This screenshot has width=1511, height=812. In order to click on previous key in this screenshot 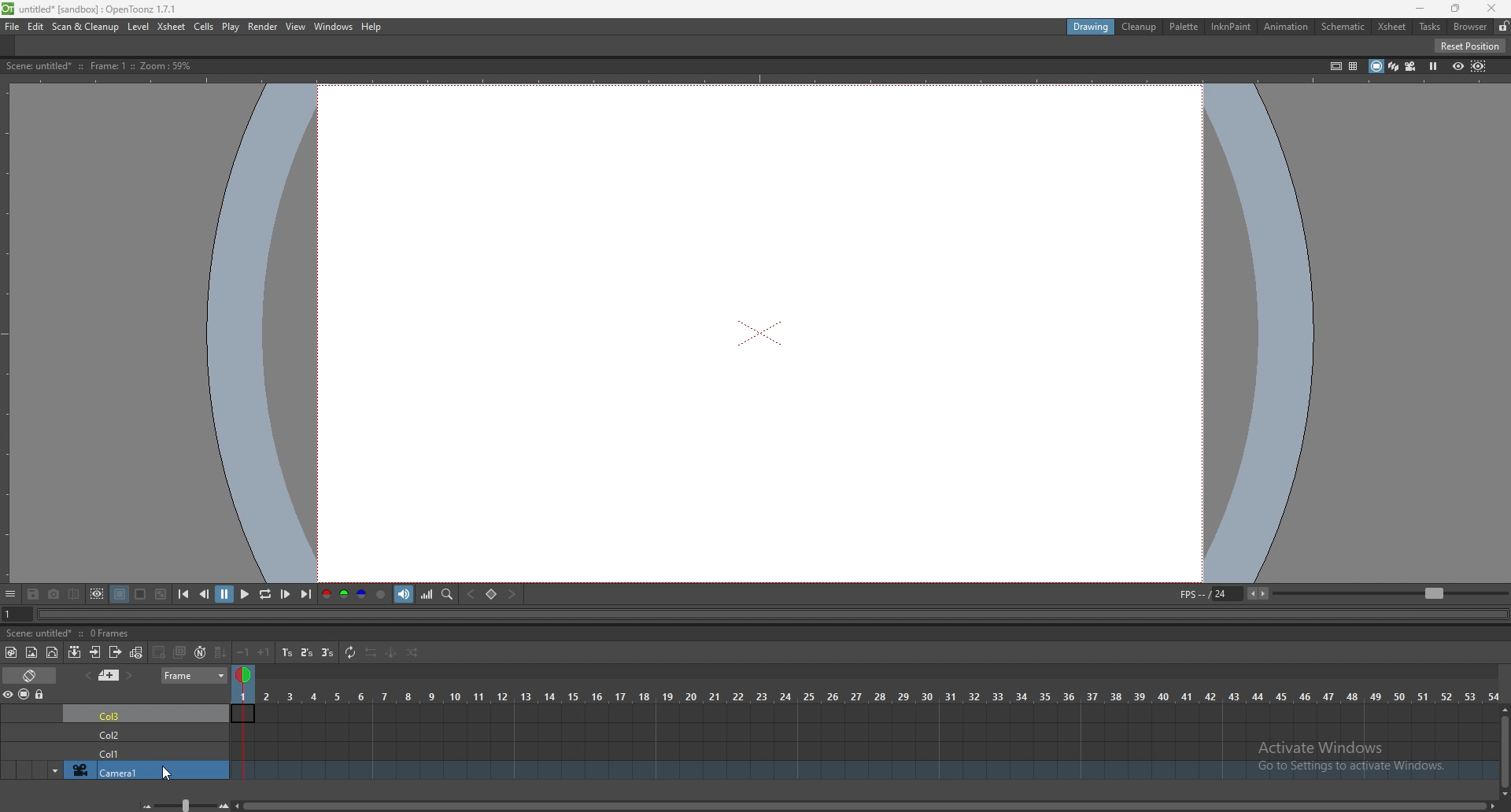, I will do `click(473, 594)`.